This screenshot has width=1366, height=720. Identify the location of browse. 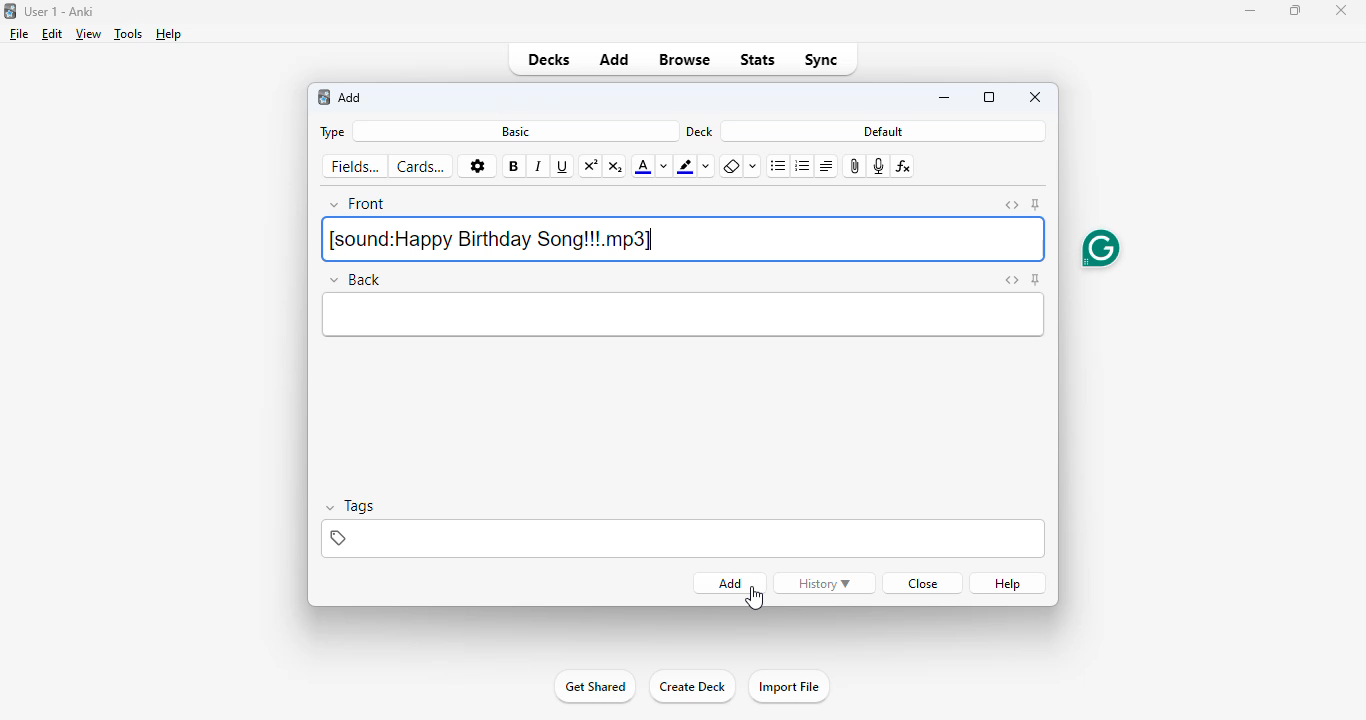
(683, 60).